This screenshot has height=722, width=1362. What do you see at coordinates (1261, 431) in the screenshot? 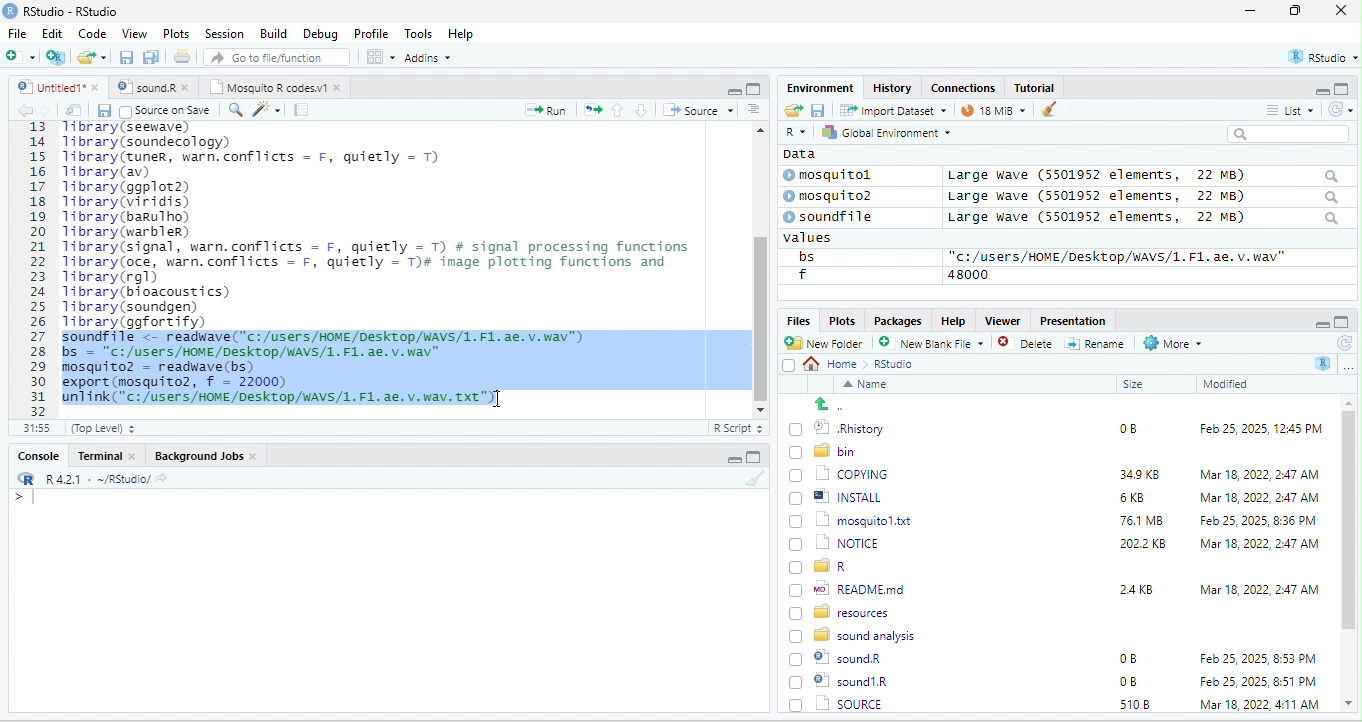
I see `Feb 25, 2025, 12:45 PM` at bounding box center [1261, 431].